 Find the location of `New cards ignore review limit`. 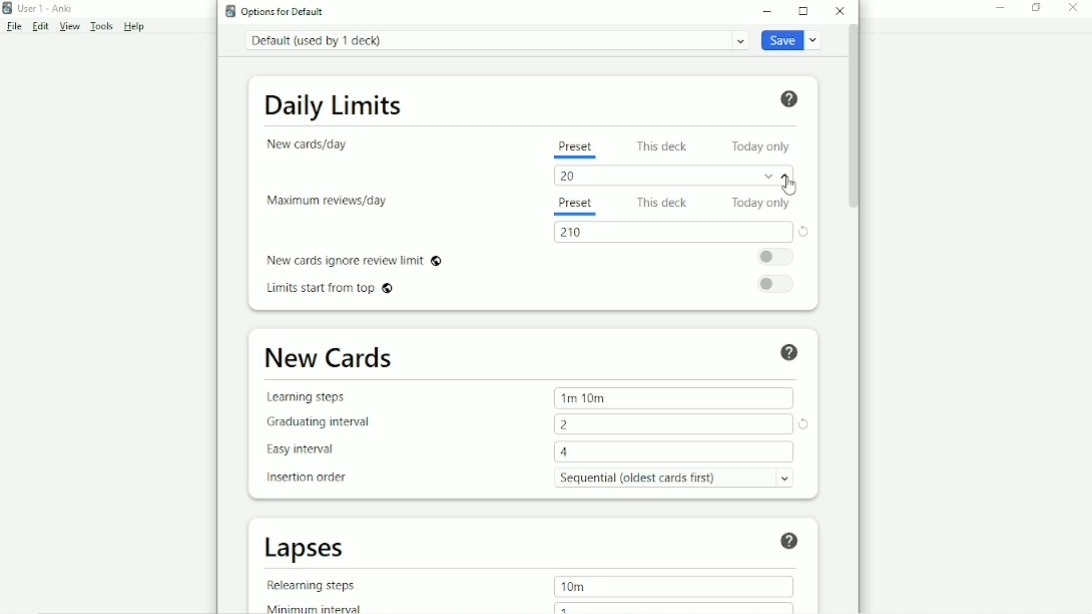

New cards ignore review limit is located at coordinates (355, 261).